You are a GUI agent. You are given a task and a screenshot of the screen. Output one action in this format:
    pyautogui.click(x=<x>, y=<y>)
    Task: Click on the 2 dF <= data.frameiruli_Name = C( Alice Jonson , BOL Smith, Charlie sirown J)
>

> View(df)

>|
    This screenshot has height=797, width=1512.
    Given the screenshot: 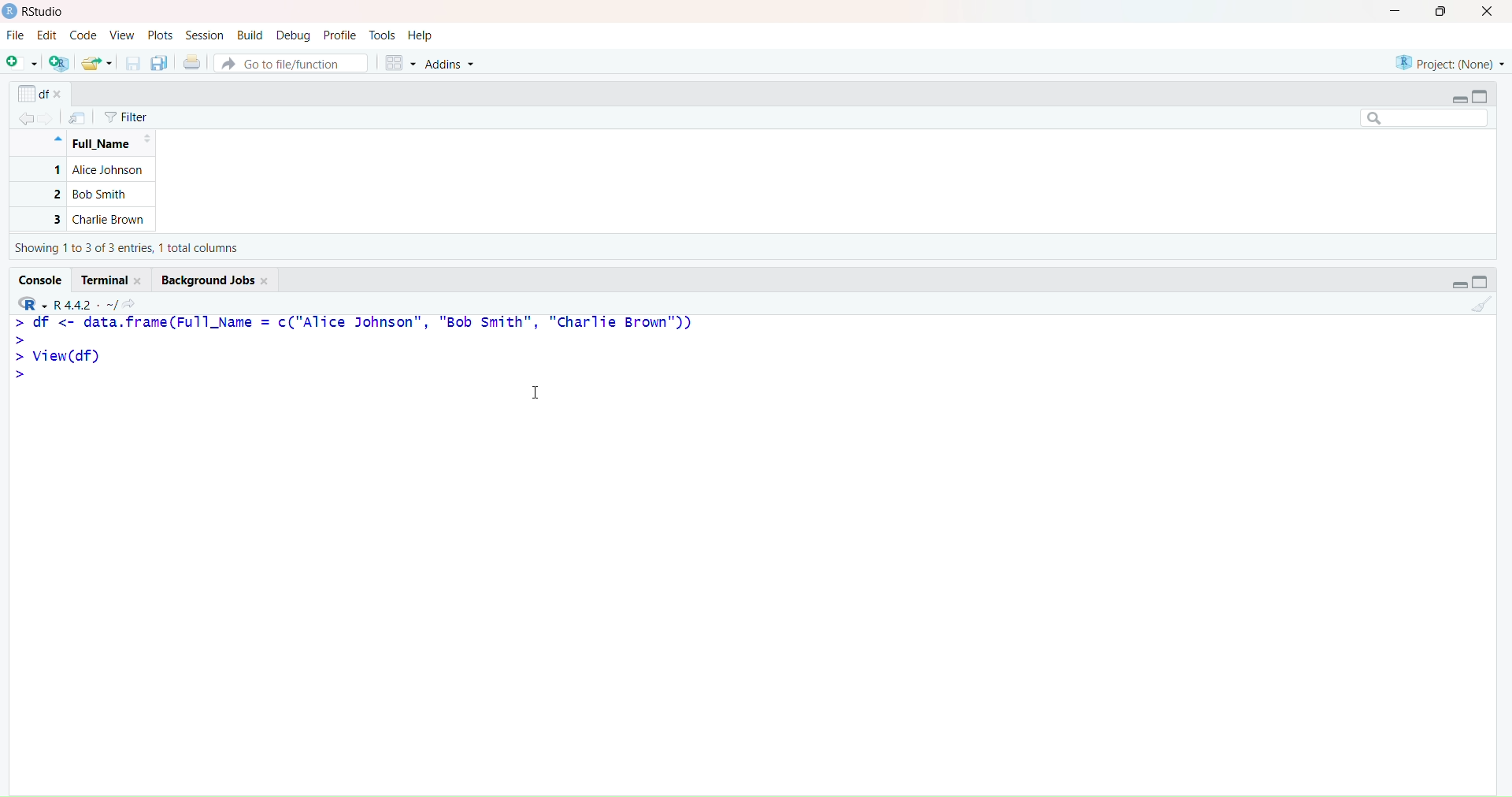 What is the action you would take?
    pyautogui.click(x=363, y=353)
    